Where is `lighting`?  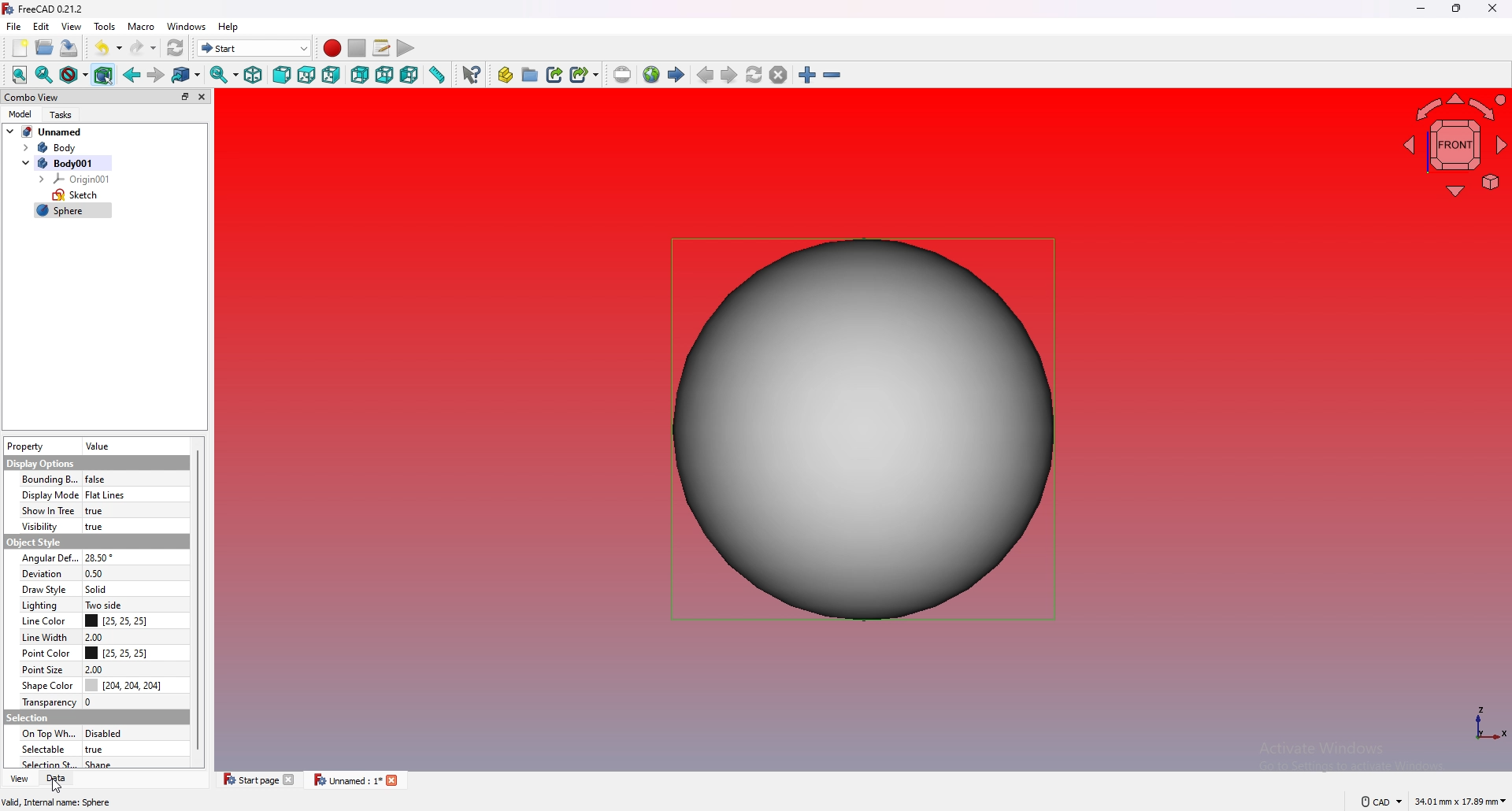
lighting is located at coordinates (93, 605).